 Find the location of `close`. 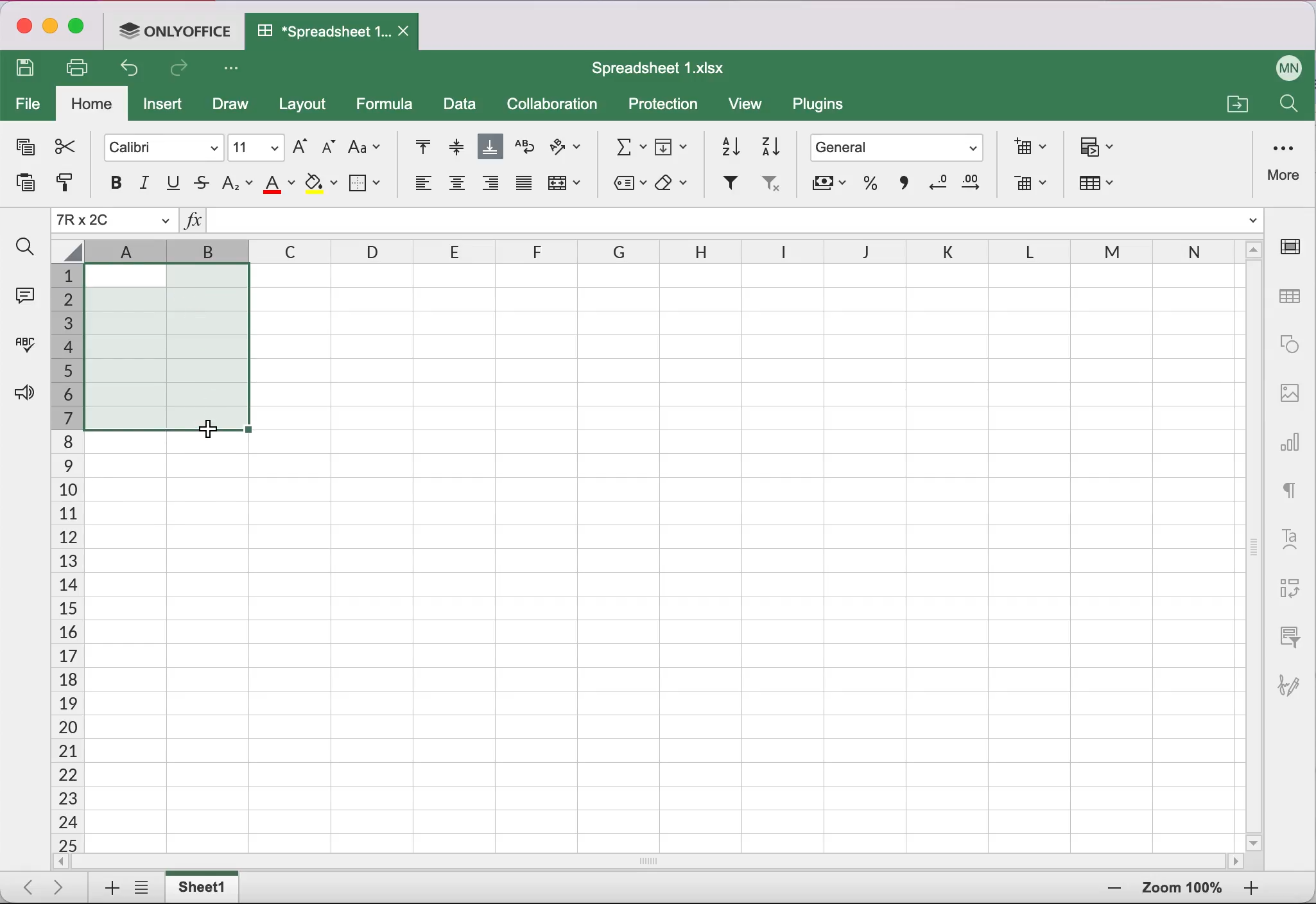

close is located at coordinates (22, 28).